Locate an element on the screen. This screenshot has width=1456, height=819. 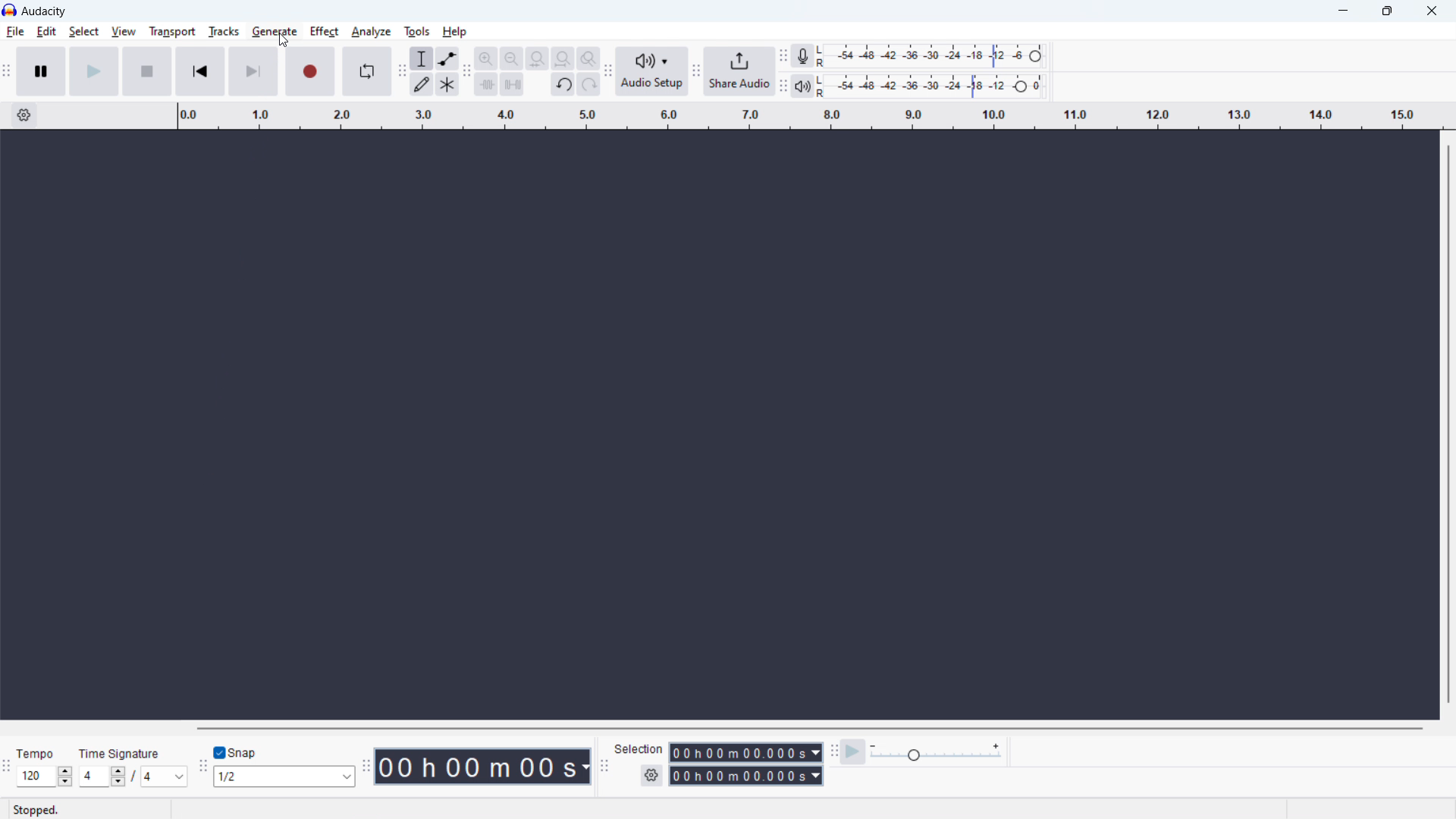
select snapping is located at coordinates (286, 777).